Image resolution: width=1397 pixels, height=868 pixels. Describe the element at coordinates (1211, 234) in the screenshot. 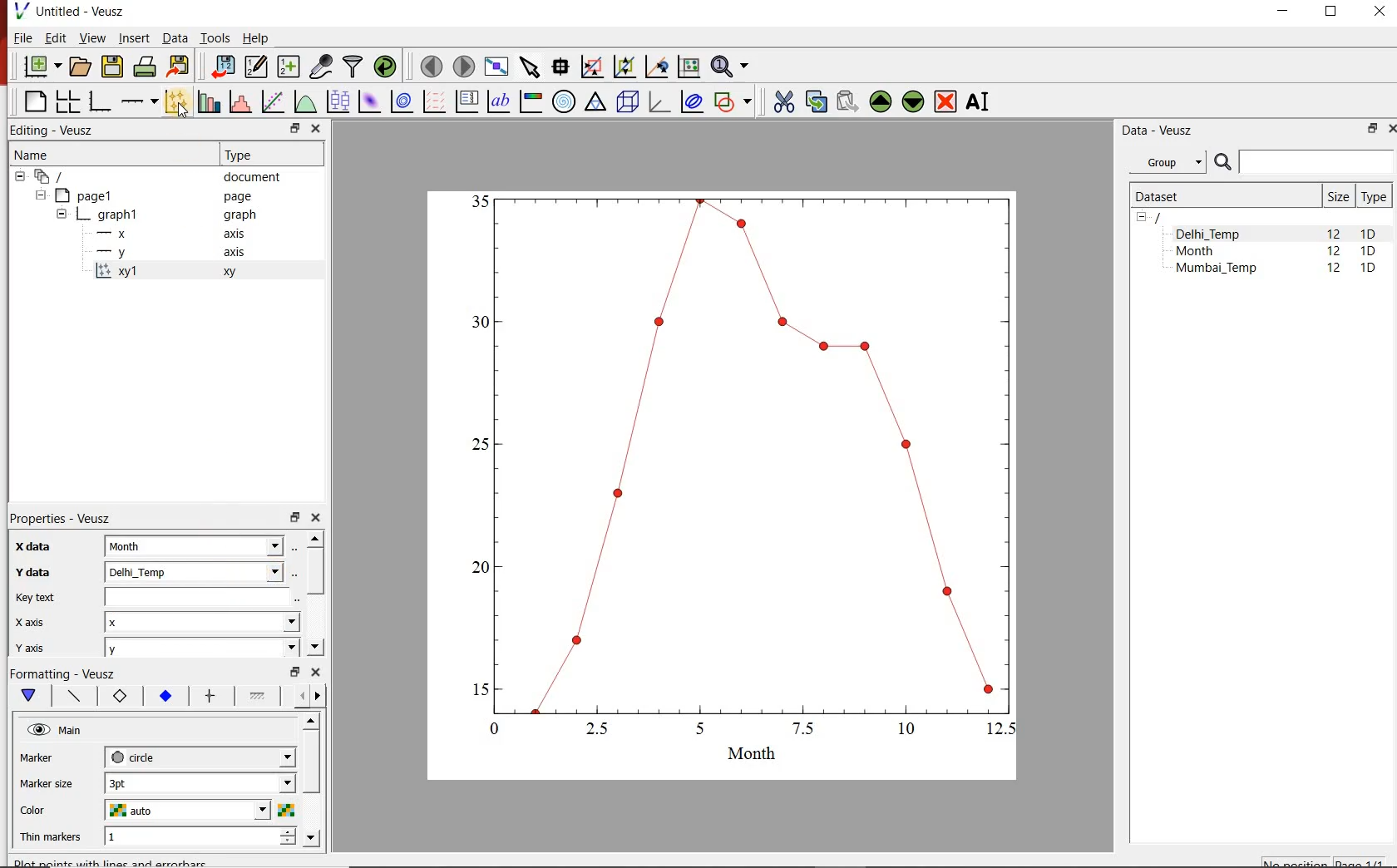

I see `Delhi_Temp` at that location.